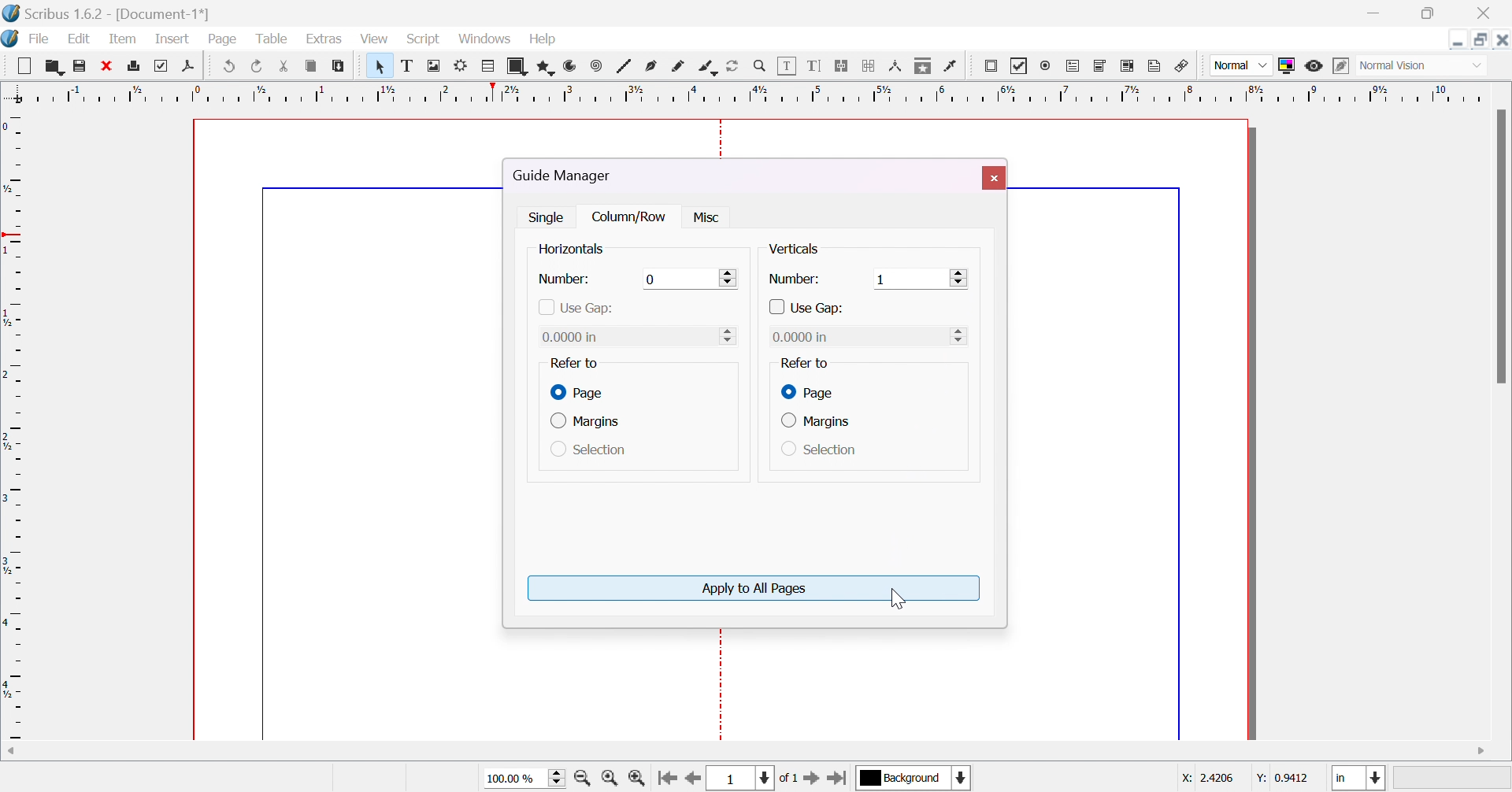 Image resolution: width=1512 pixels, height=792 pixels. I want to click on slider, so click(731, 276).